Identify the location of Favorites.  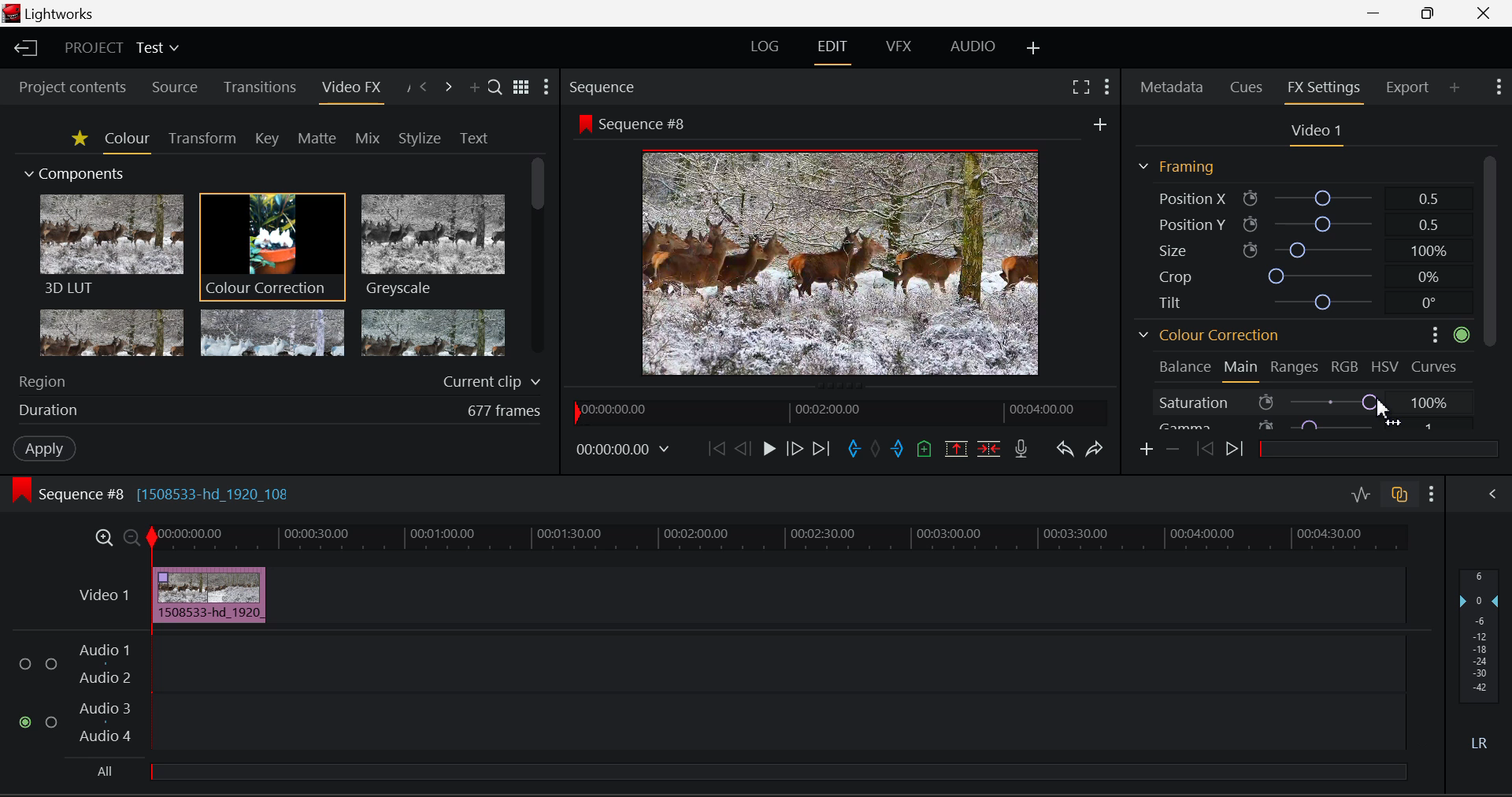
(77, 139).